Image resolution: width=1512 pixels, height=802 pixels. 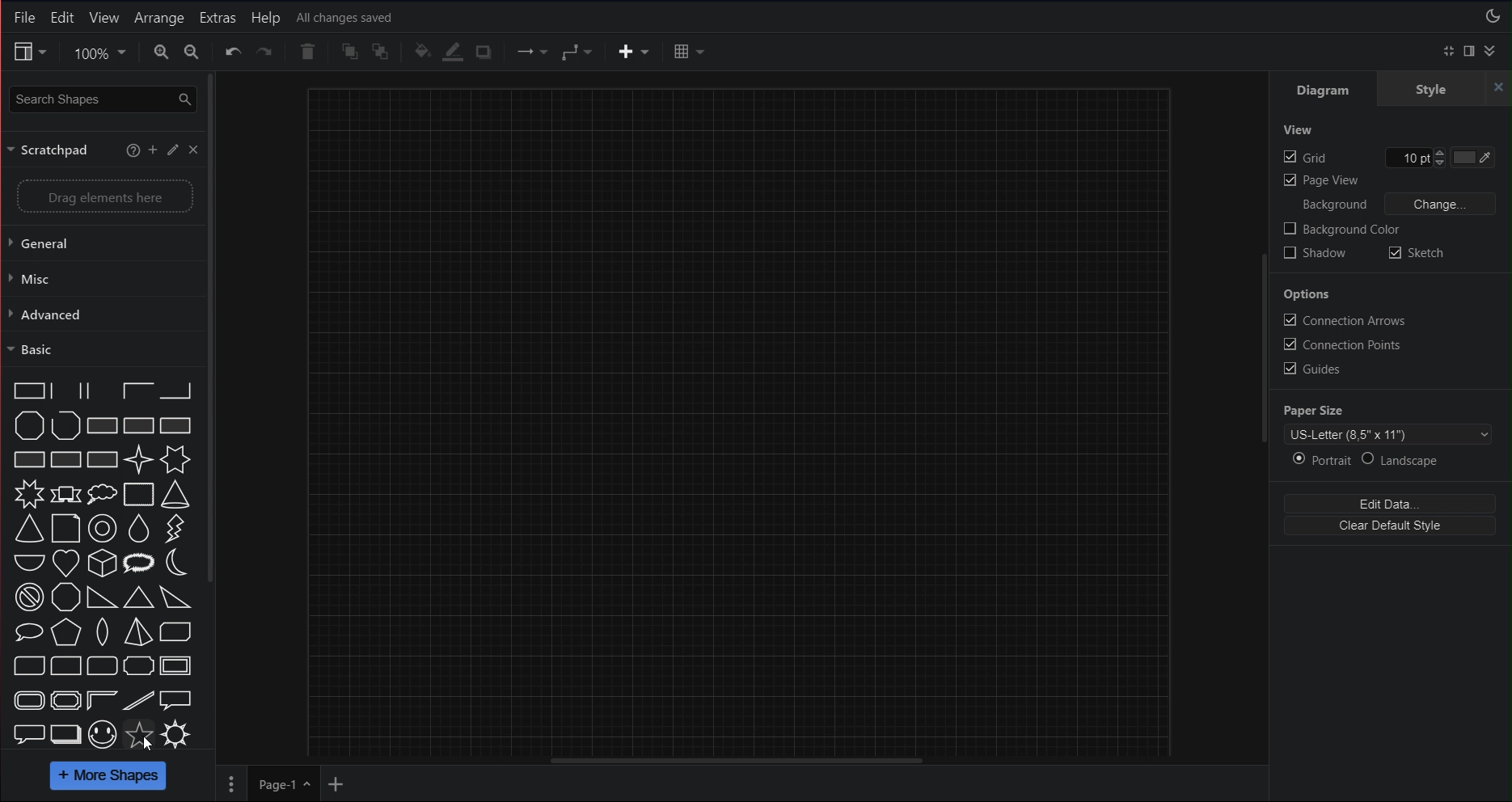 What do you see at coordinates (1469, 51) in the screenshot?
I see `Format` at bounding box center [1469, 51].